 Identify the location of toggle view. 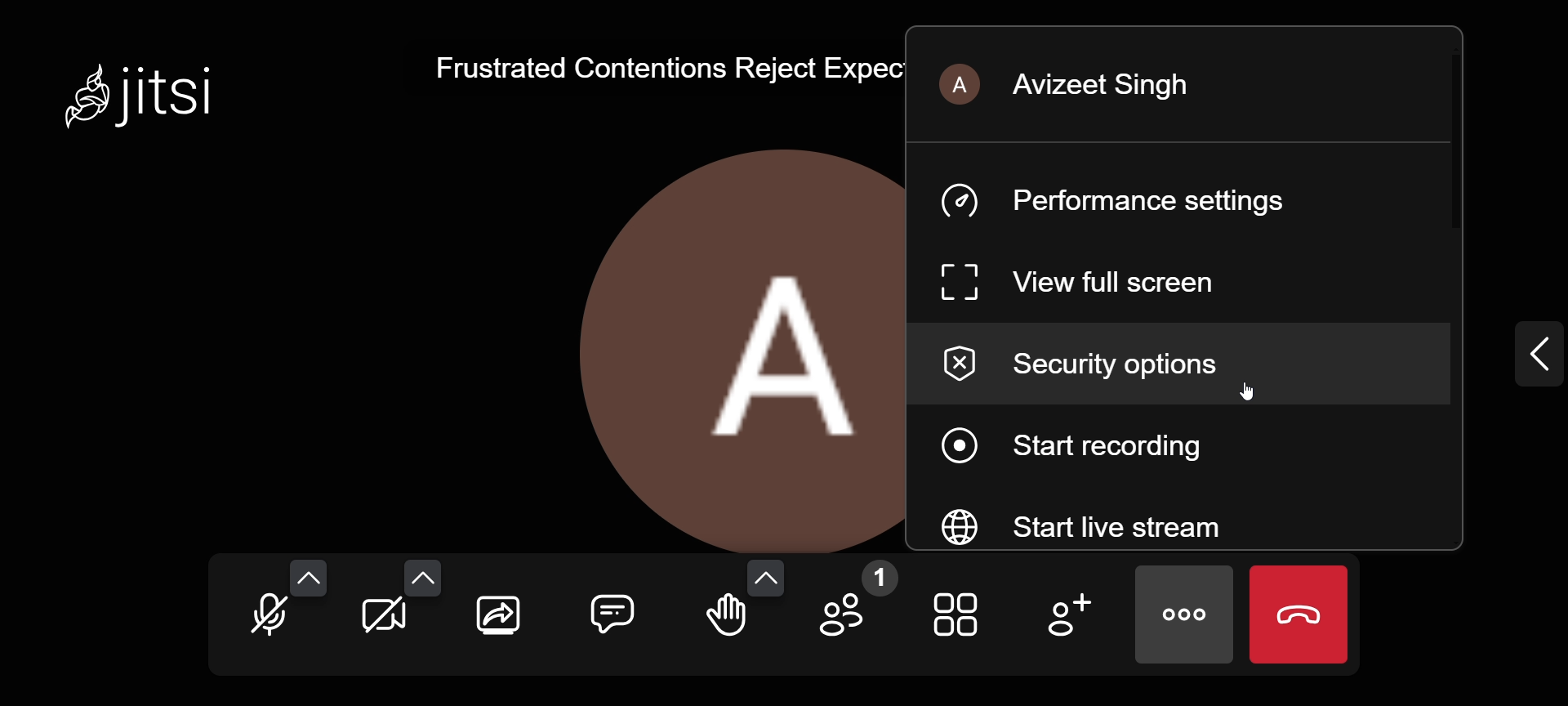
(960, 613).